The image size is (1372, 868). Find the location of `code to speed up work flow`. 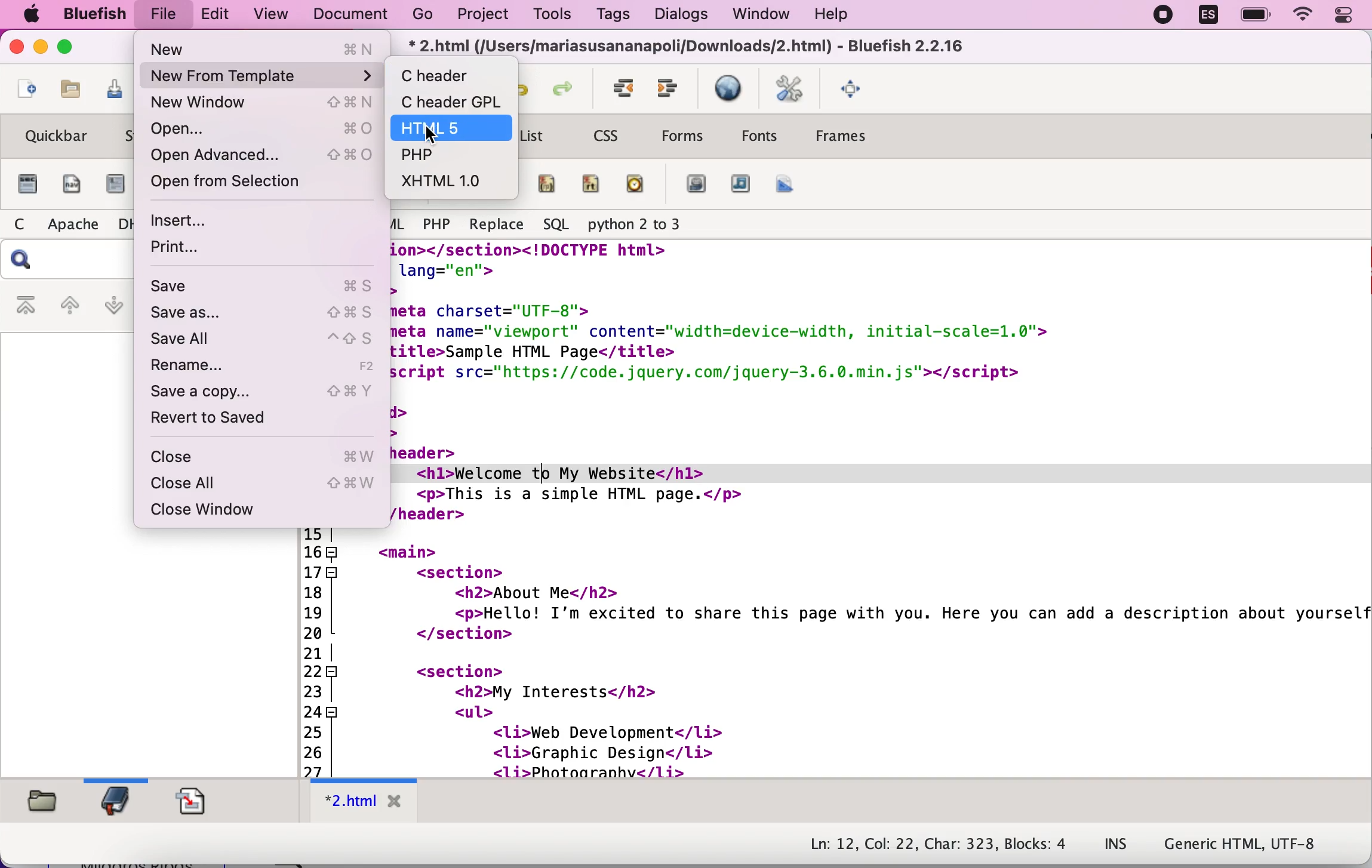

code to speed up work flow is located at coordinates (885, 512).